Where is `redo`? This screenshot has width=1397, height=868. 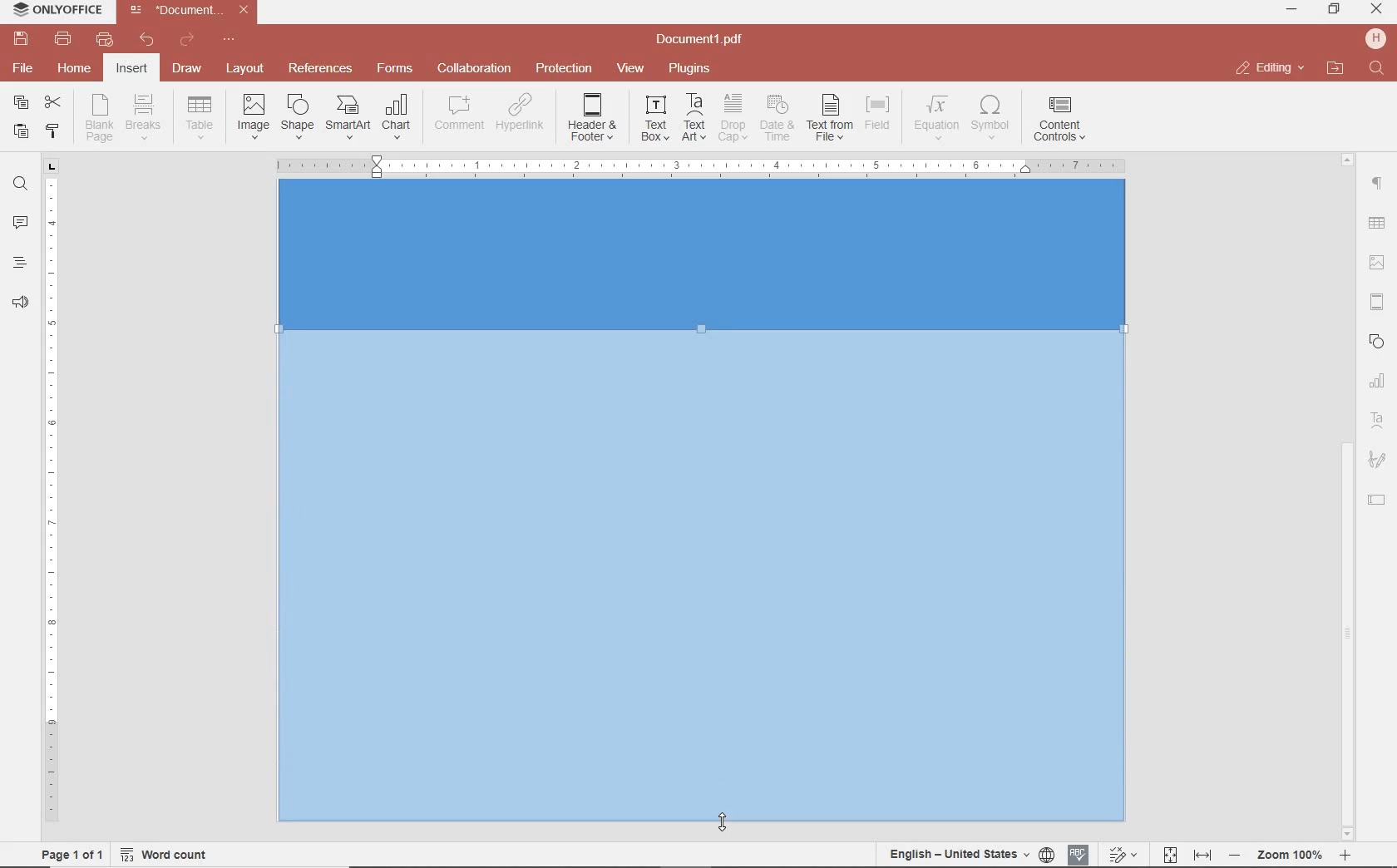
redo is located at coordinates (185, 42).